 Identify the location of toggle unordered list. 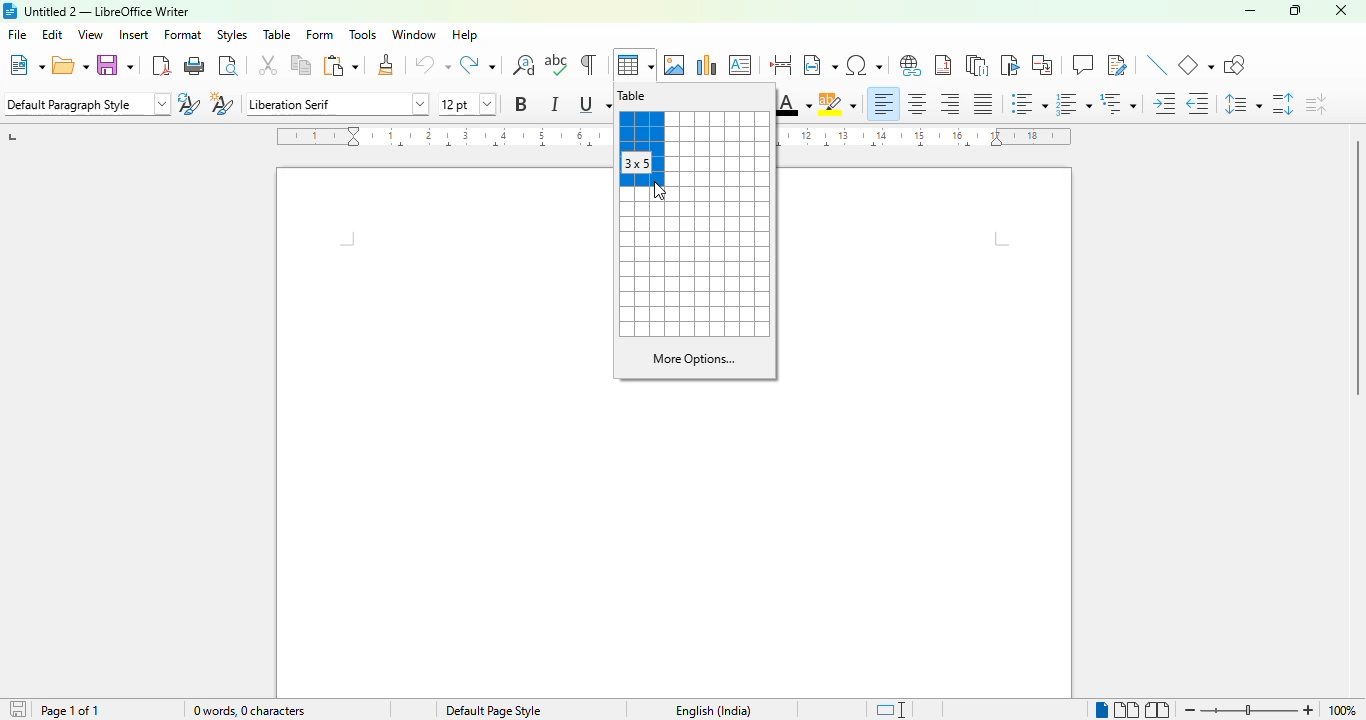
(1029, 103).